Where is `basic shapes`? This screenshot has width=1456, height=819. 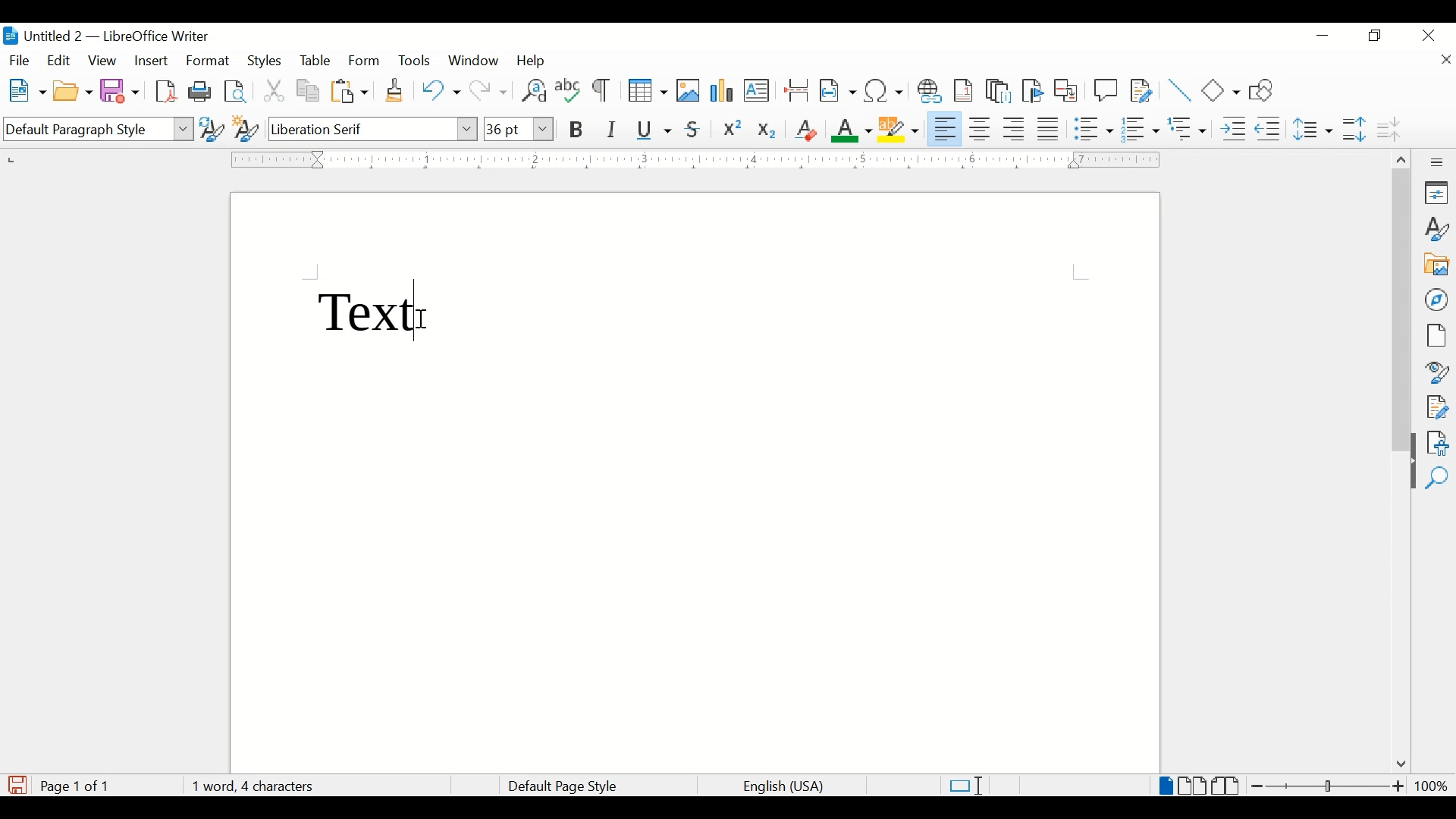
basic shapes is located at coordinates (1222, 90).